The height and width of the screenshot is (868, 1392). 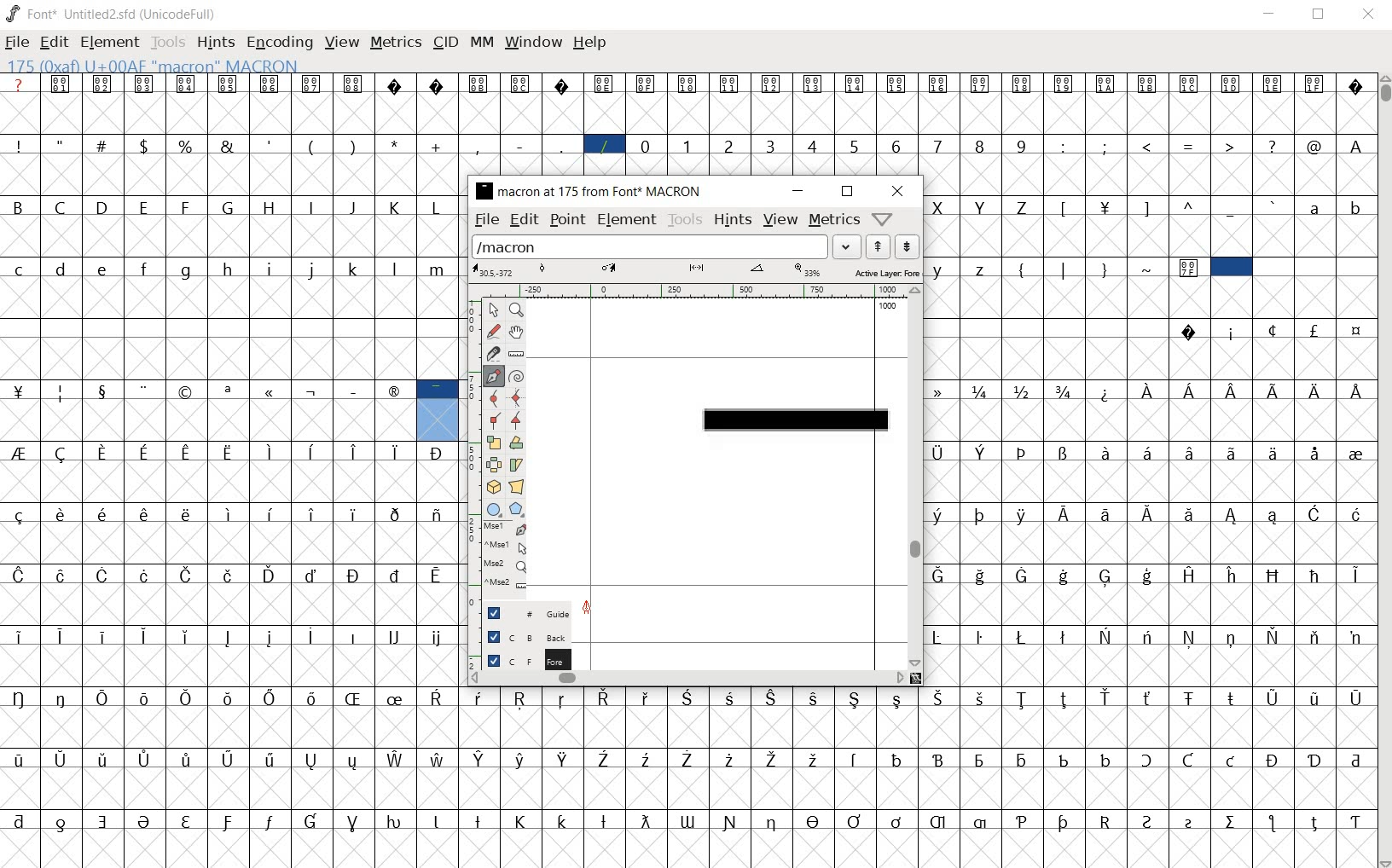 I want to click on Symbol, so click(x=1272, y=84).